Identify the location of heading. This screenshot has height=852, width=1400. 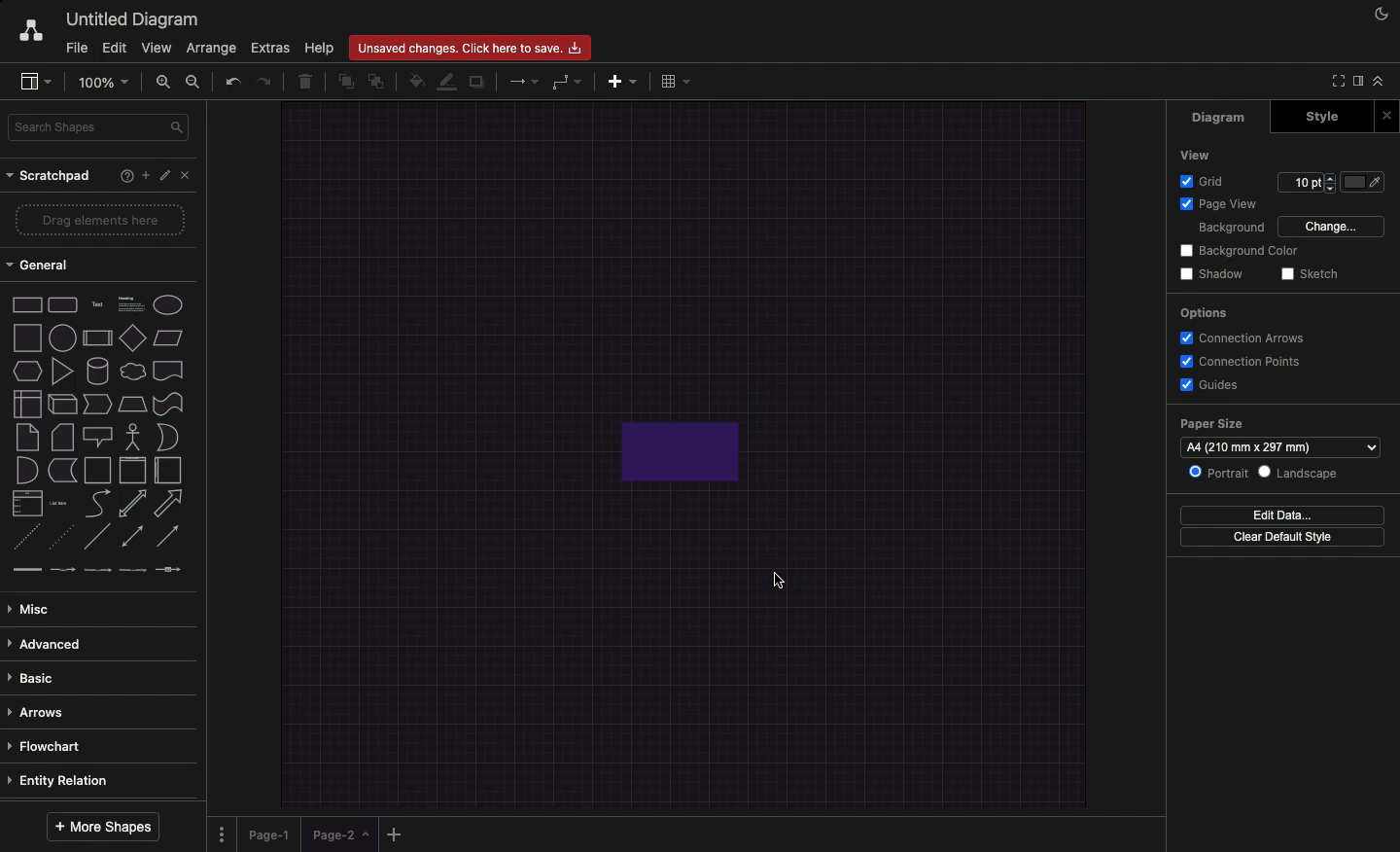
(130, 302).